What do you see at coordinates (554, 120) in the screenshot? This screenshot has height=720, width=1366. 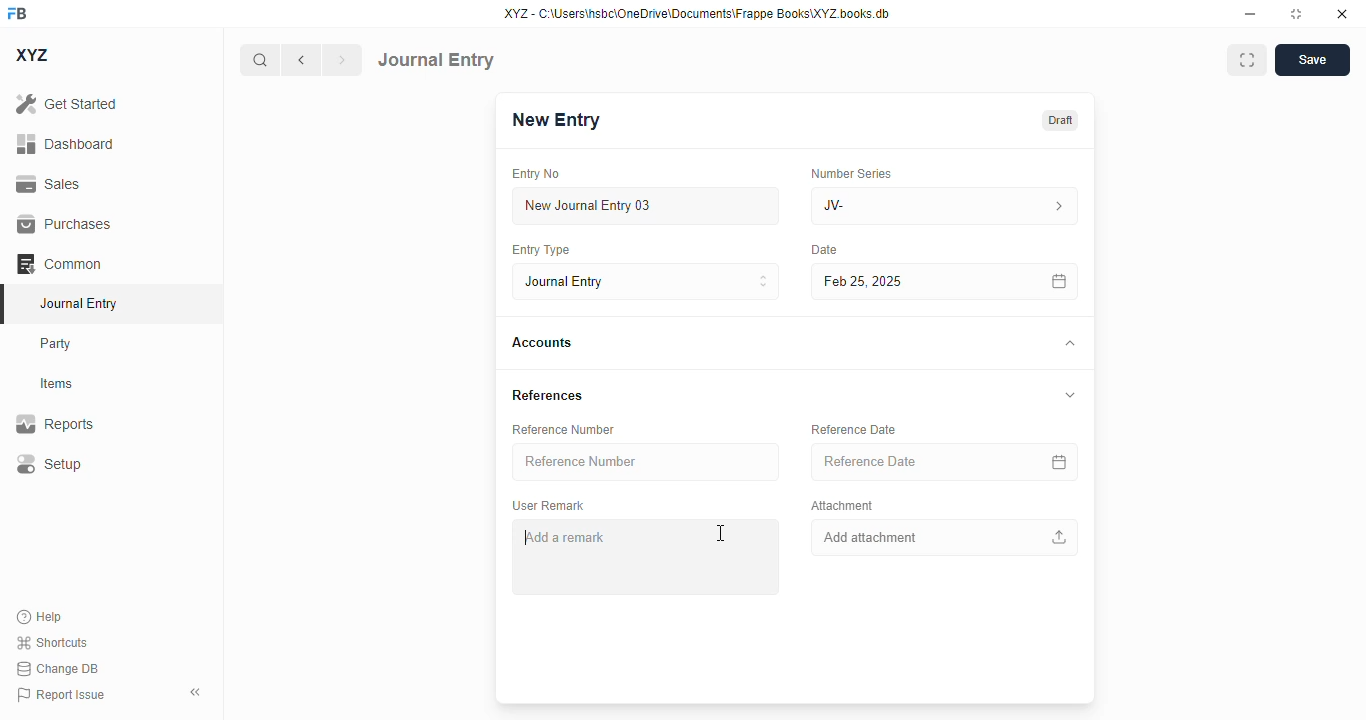 I see `new entry` at bounding box center [554, 120].